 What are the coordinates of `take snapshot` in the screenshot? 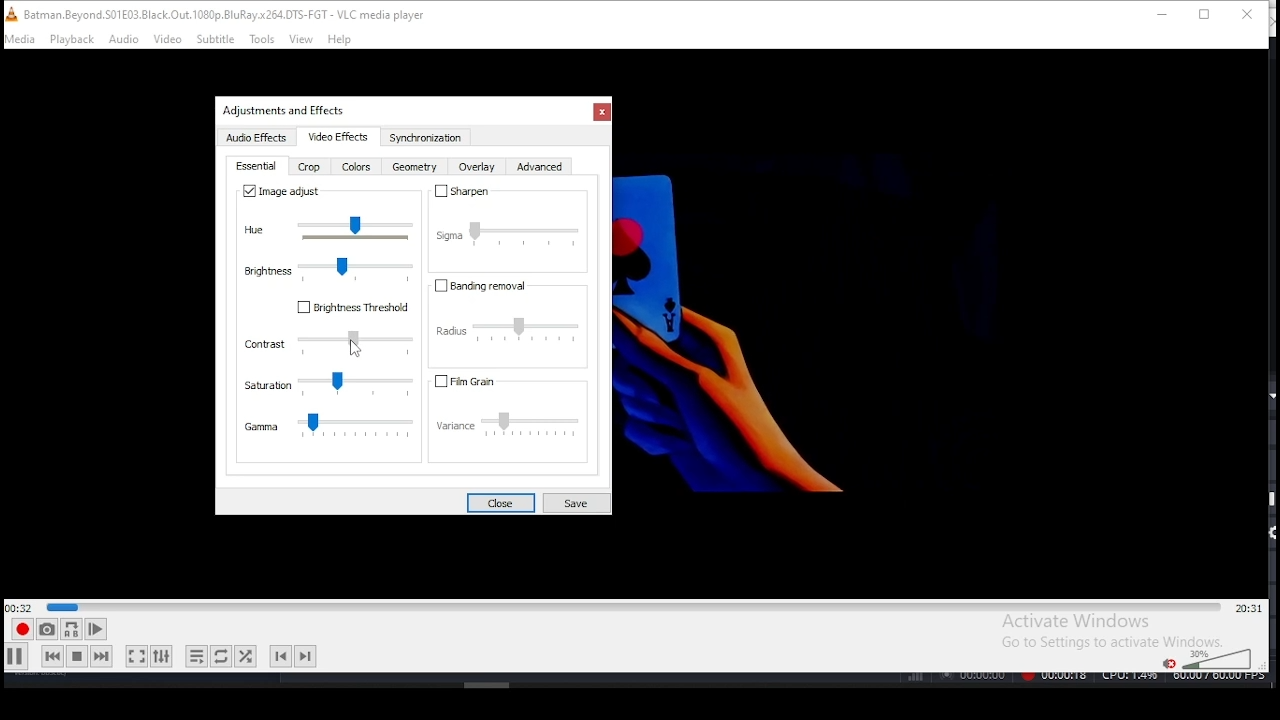 It's located at (44, 632).